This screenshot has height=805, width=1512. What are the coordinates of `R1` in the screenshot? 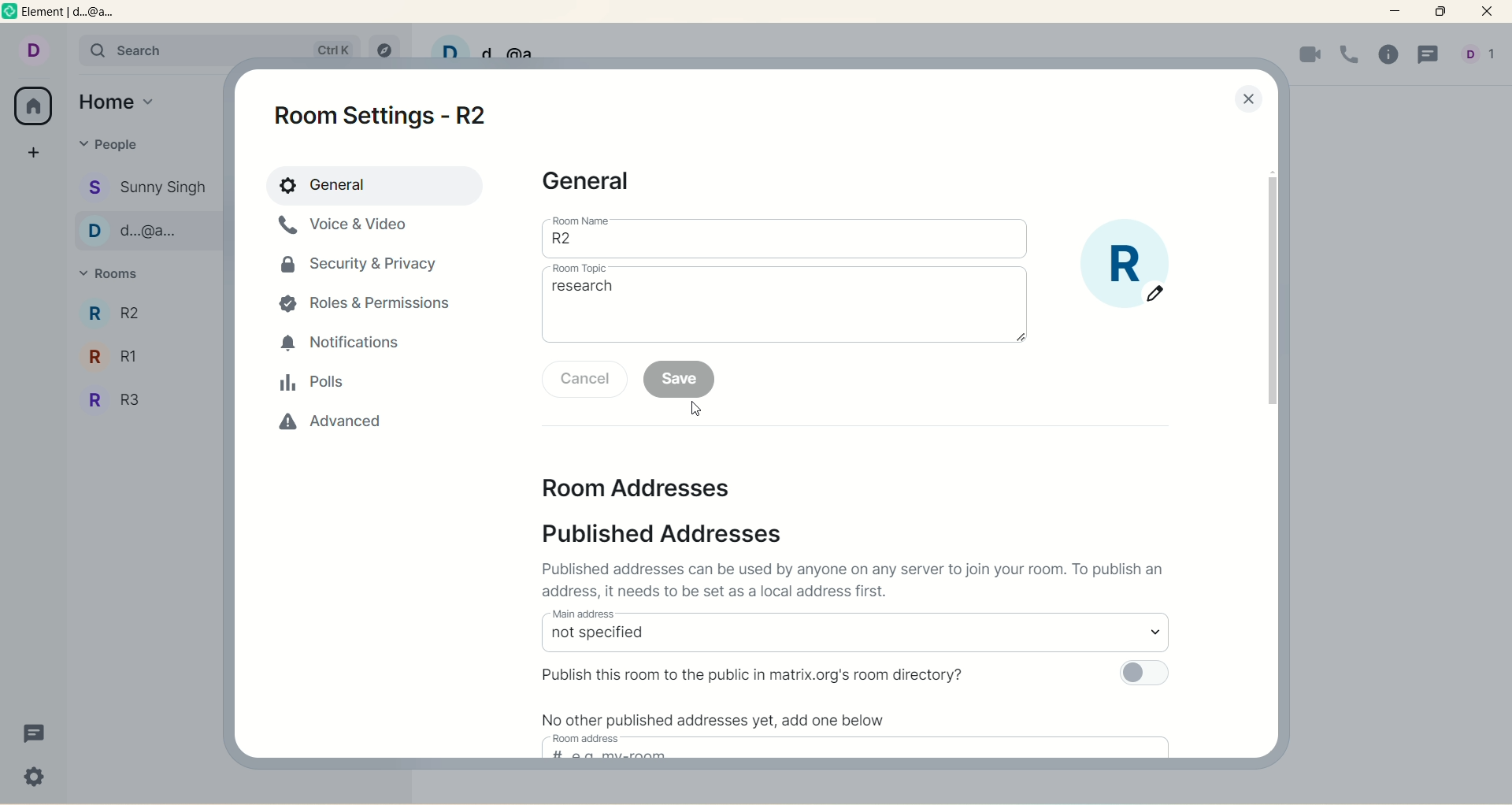 It's located at (145, 311).